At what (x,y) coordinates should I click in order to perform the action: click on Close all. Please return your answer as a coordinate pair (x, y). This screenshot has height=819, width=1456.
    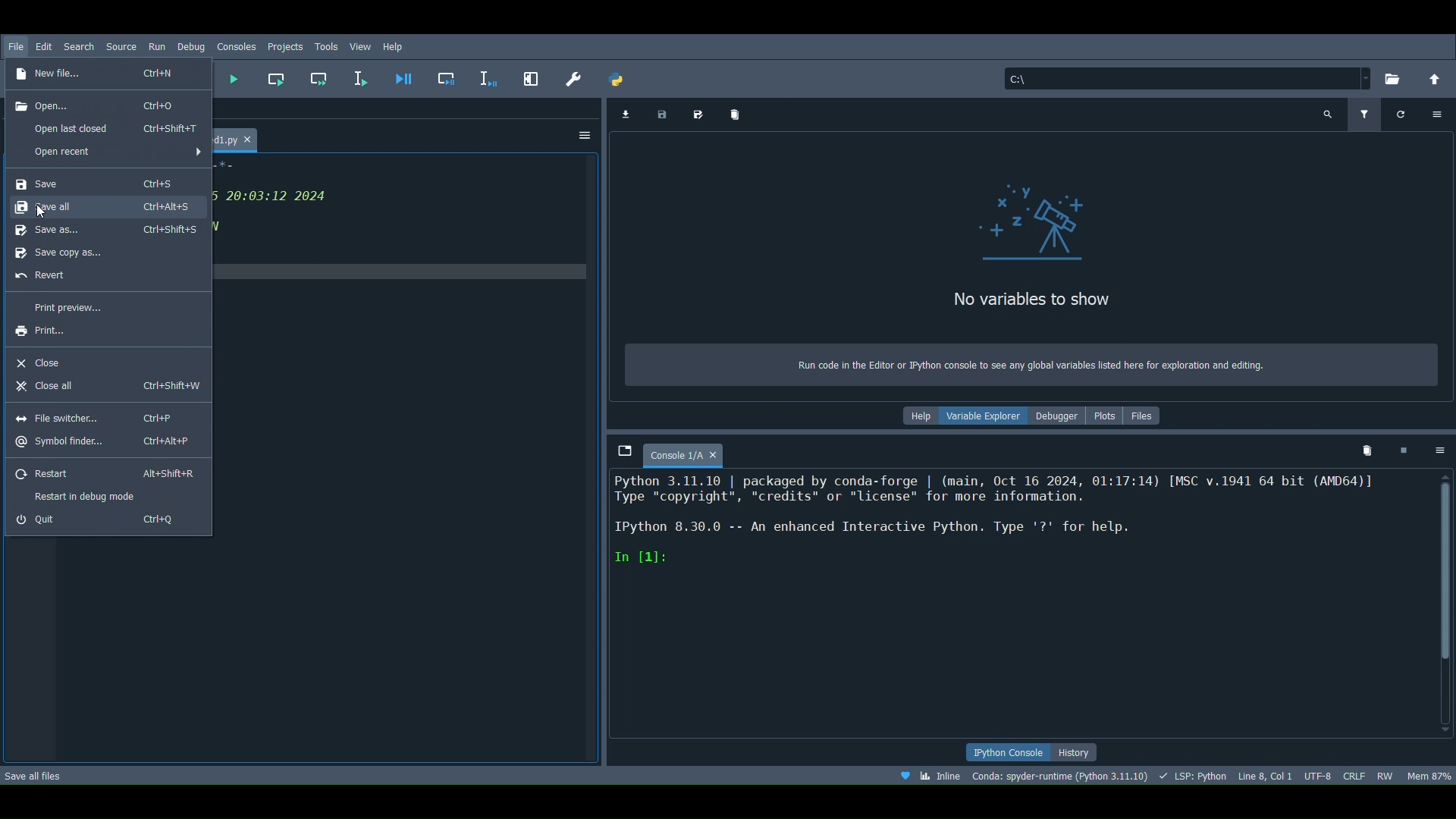
    Looking at the image, I should click on (104, 386).